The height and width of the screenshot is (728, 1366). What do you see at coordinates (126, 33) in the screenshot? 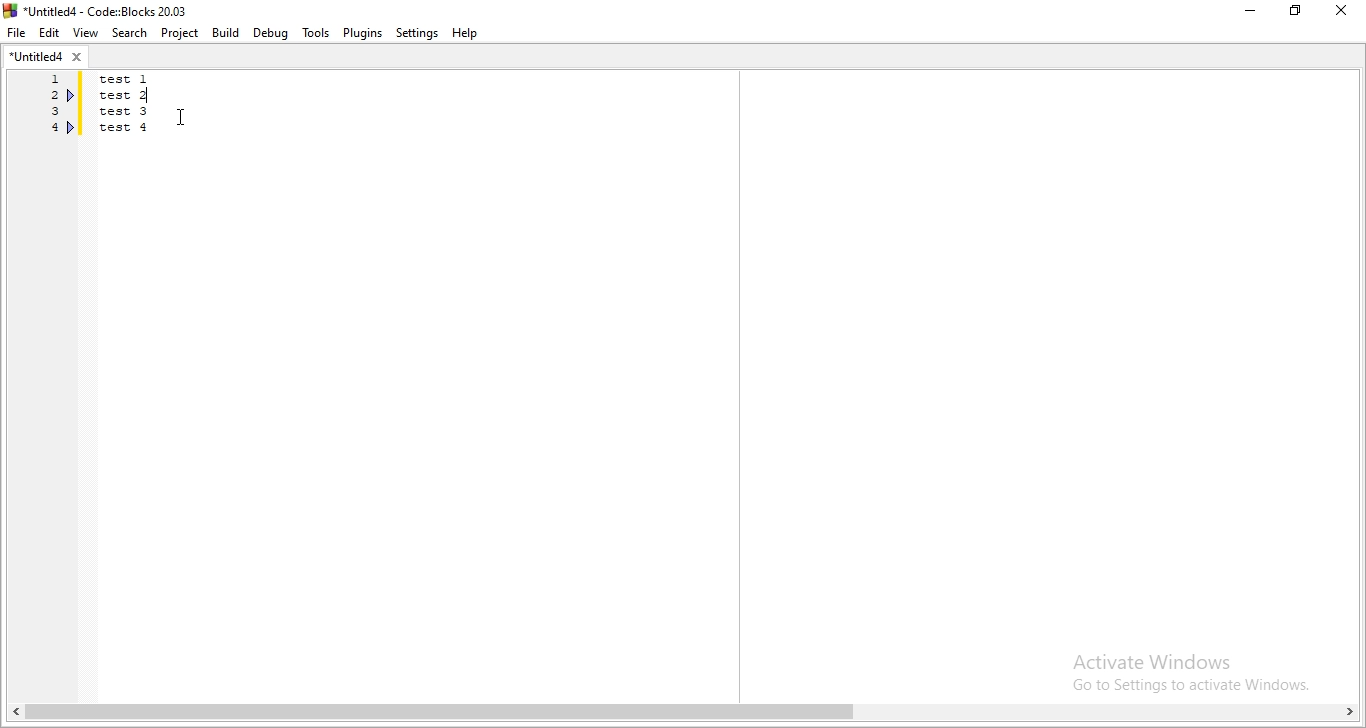
I see `Search ` at bounding box center [126, 33].